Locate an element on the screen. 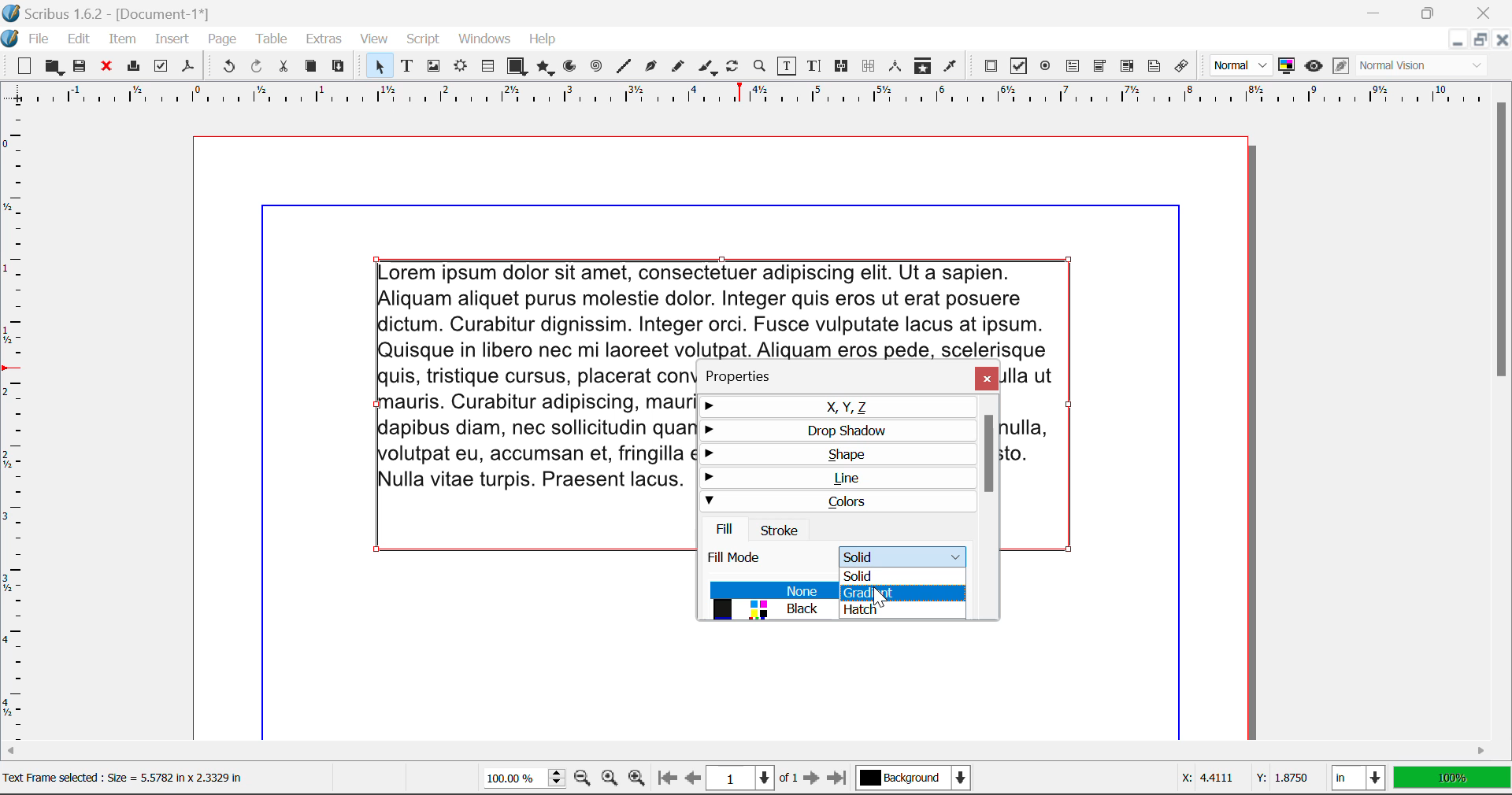  Restore Down is located at coordinates (1376, 11).